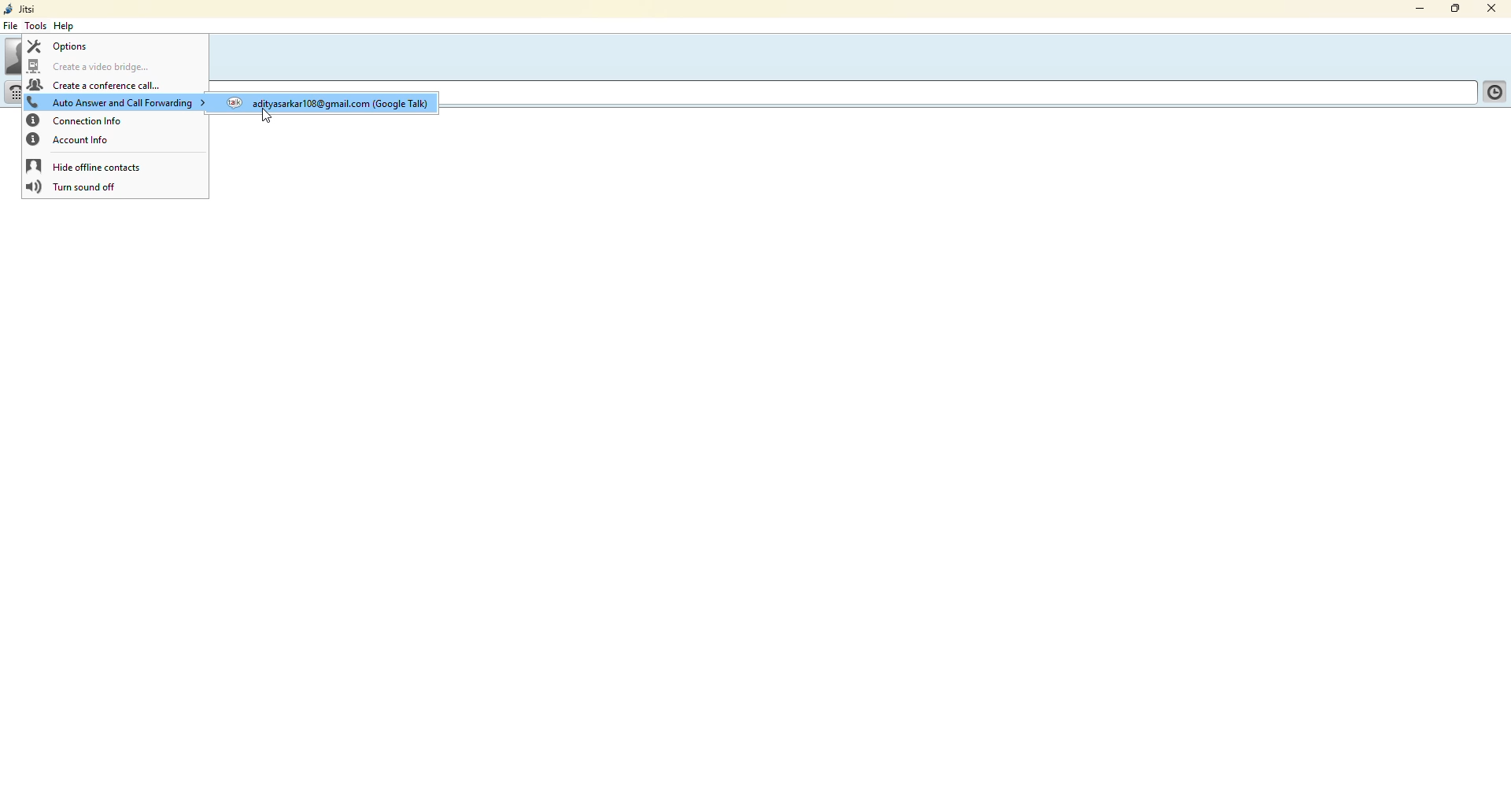 Image resolution: width=1511 pixels, height=812 pixels. What do you see at coordinates (114, 103) in the screenshot?
I see `auto answer and call forwarding` at bounding box center [114, 103].